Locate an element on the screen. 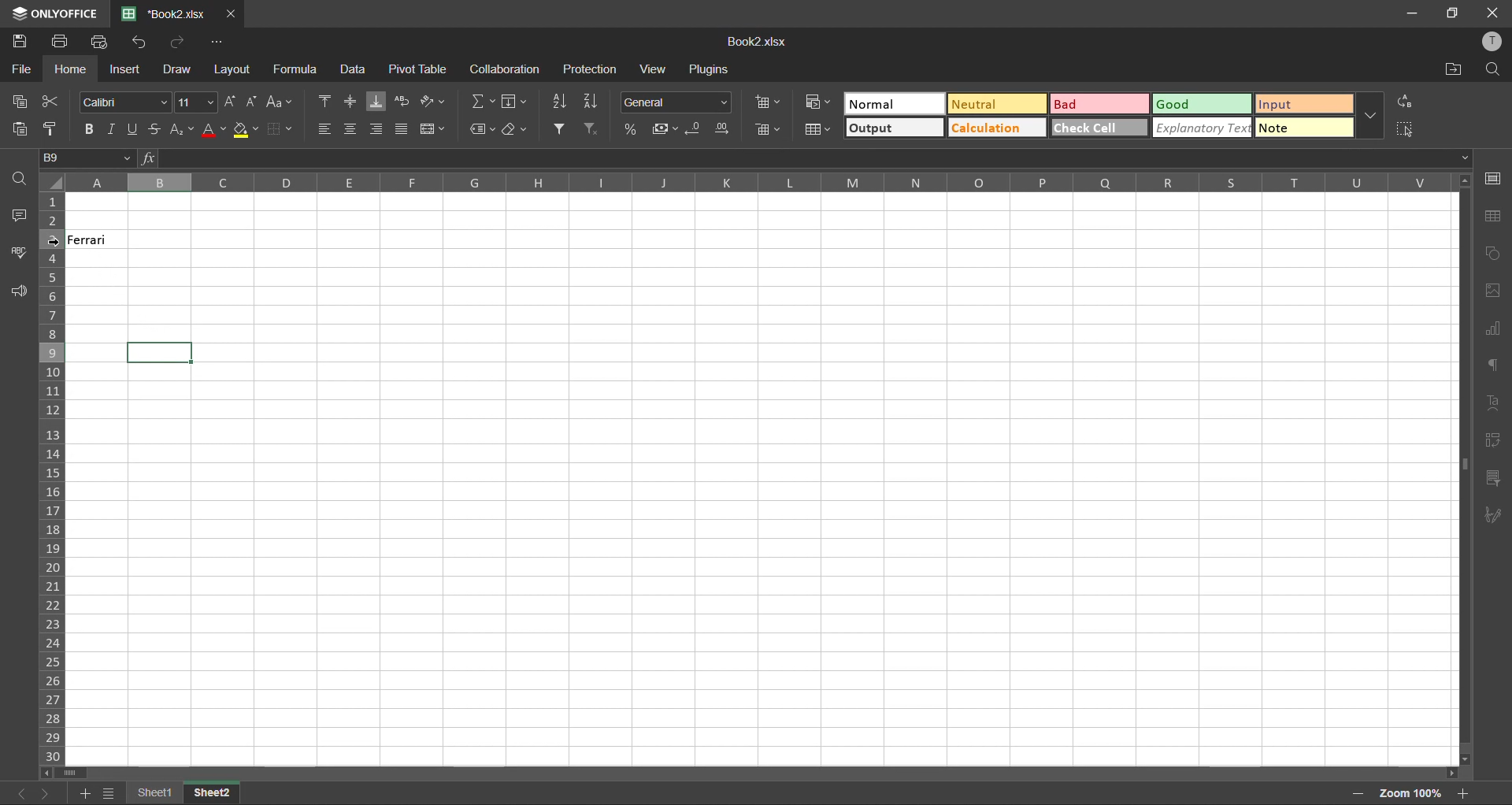  insert is located at coordinates (127, 68).